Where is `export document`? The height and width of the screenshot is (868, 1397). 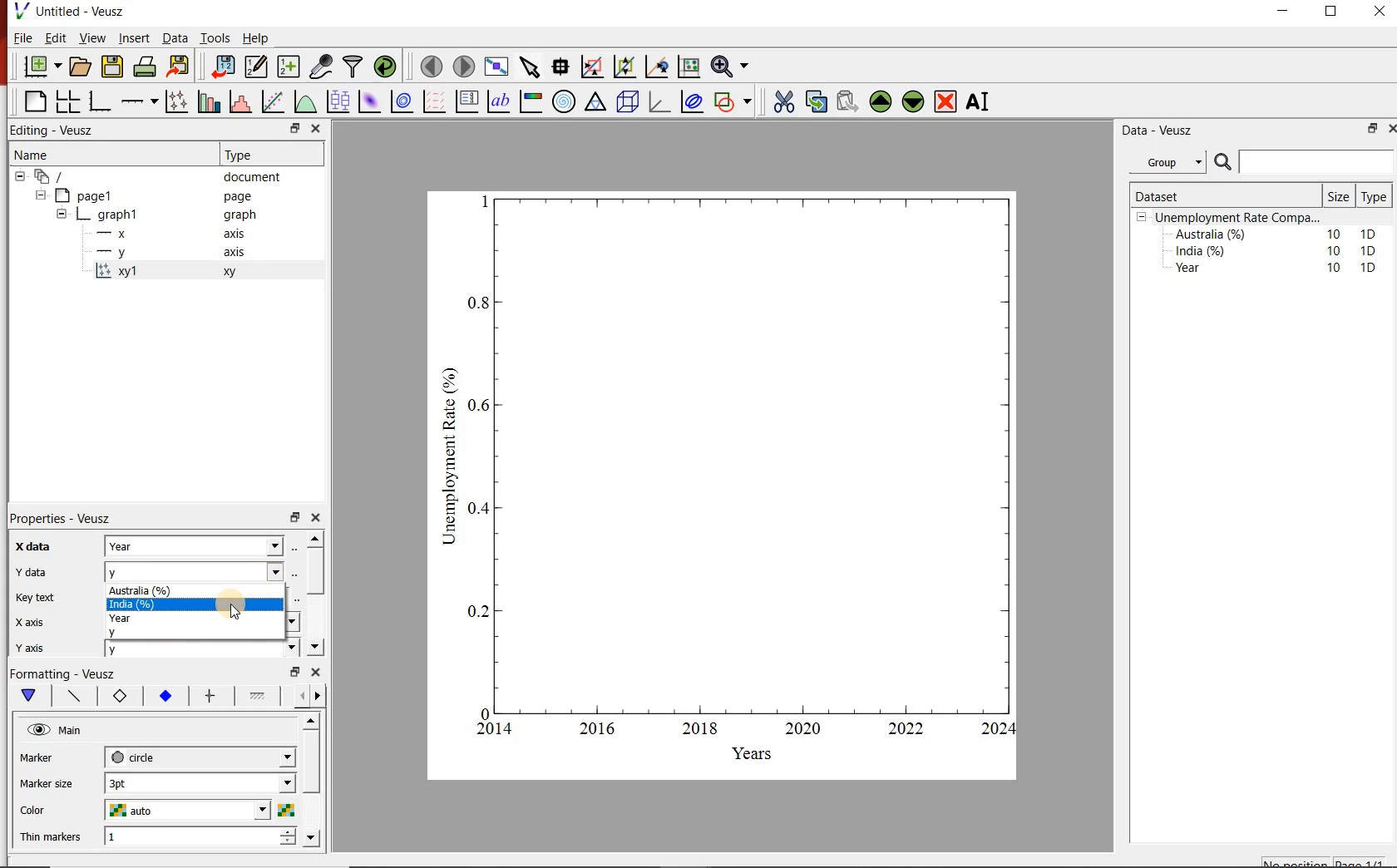 export document is located at coordinates (180, 65).